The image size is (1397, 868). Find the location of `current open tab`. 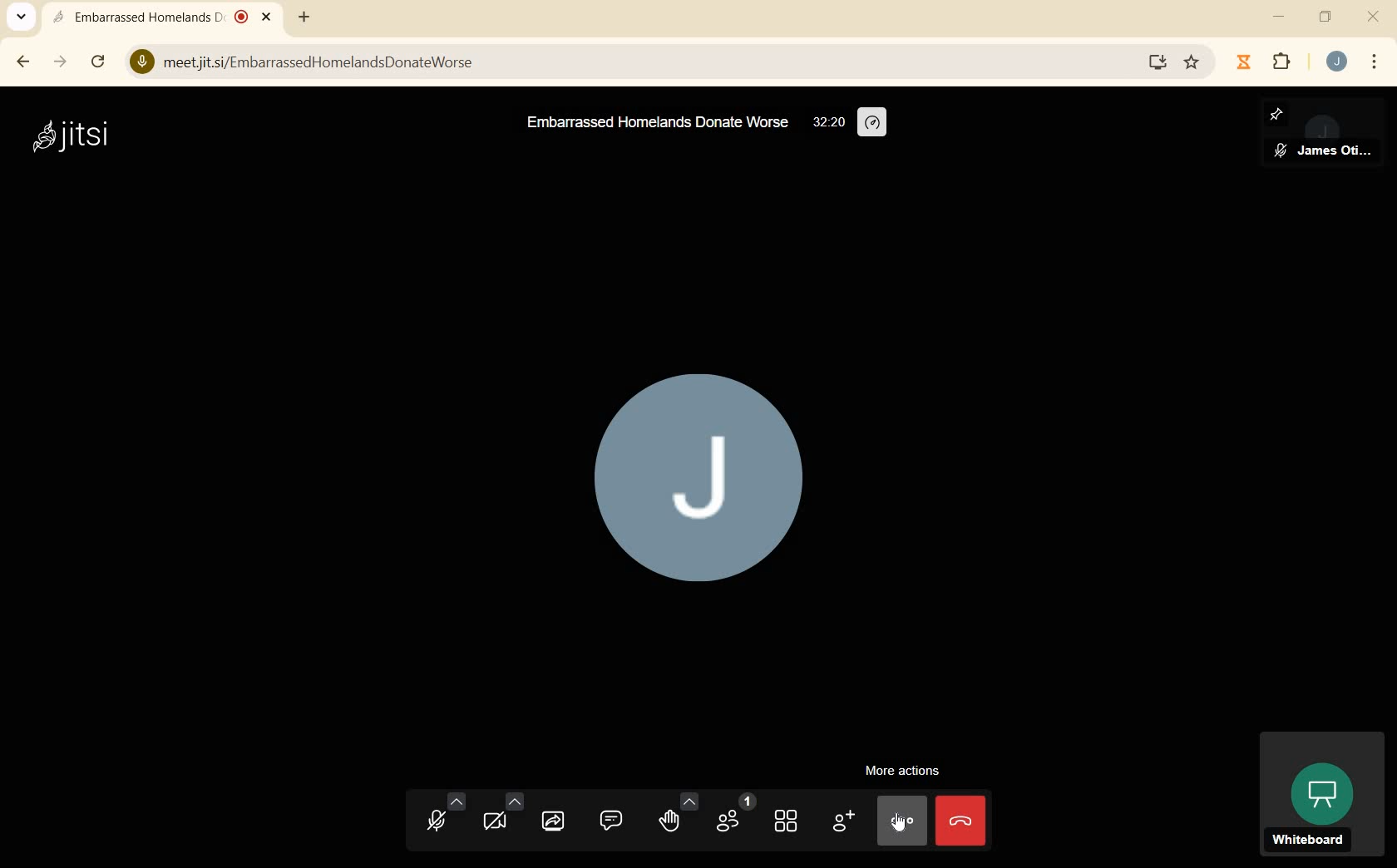

current open tab is located at coordinates (166, 19).